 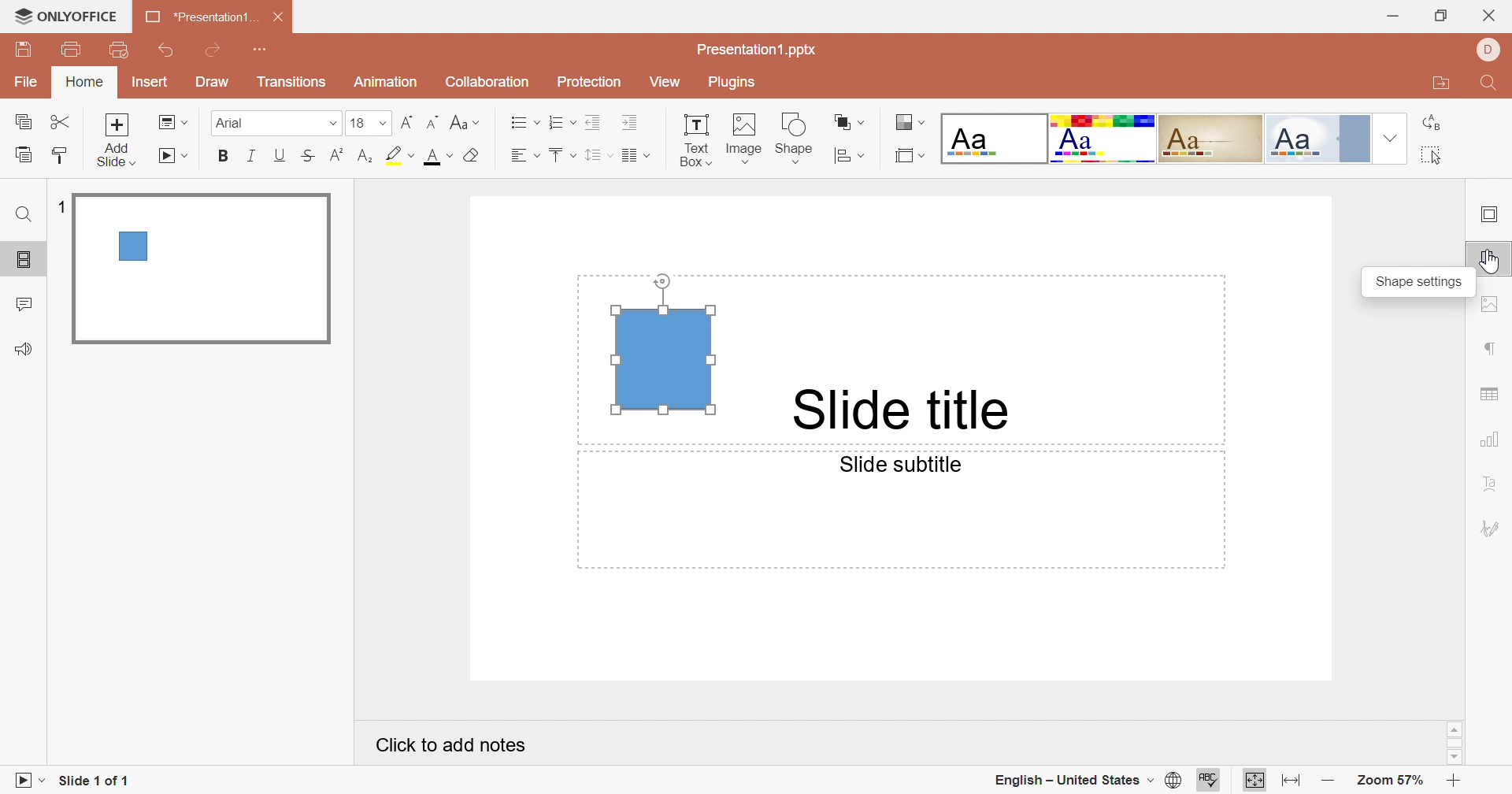 I want to click on Cut, so click(x=63, y=123).